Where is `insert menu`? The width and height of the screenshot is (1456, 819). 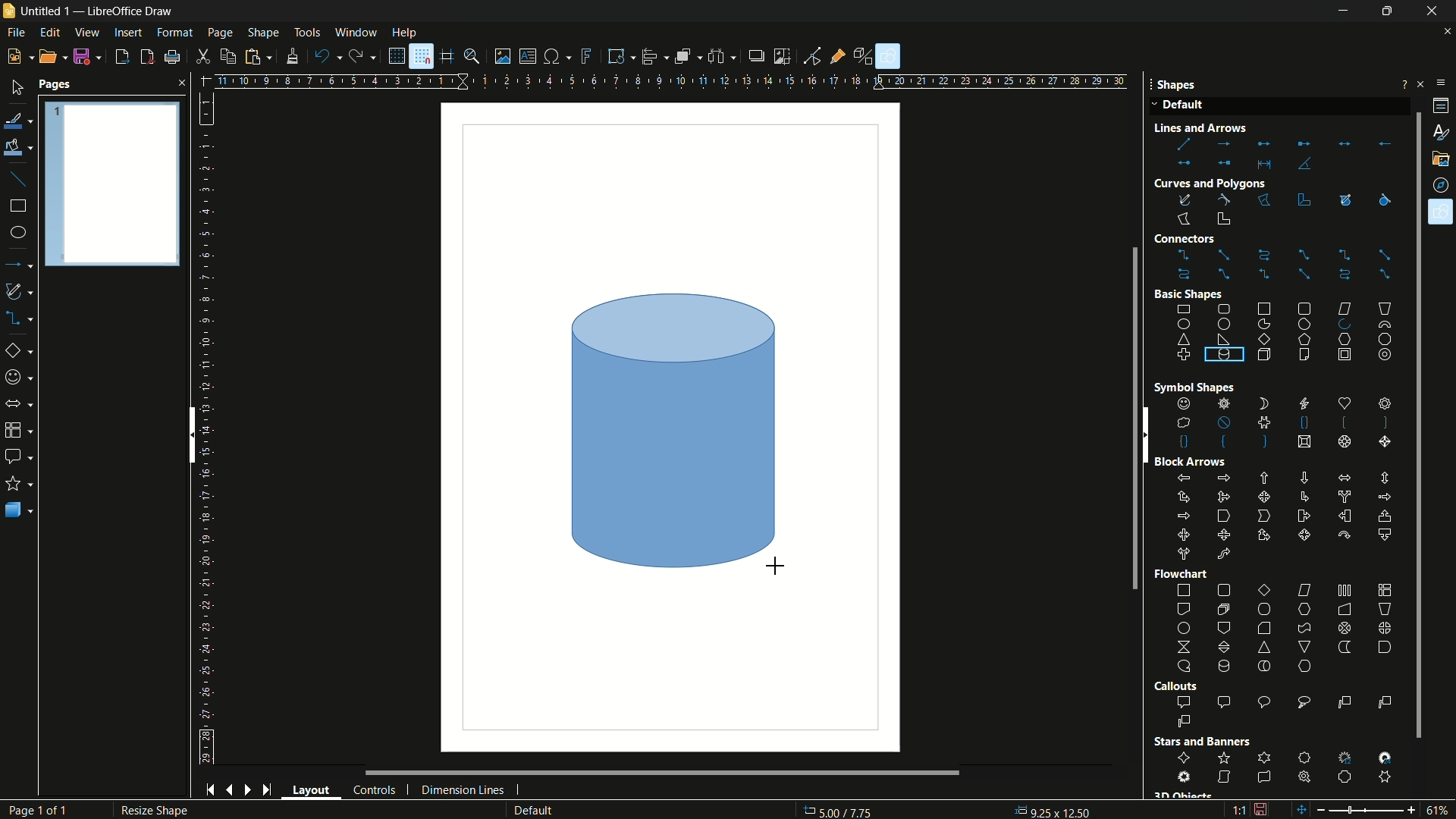
insert menu is located at coordinates (128, 32).